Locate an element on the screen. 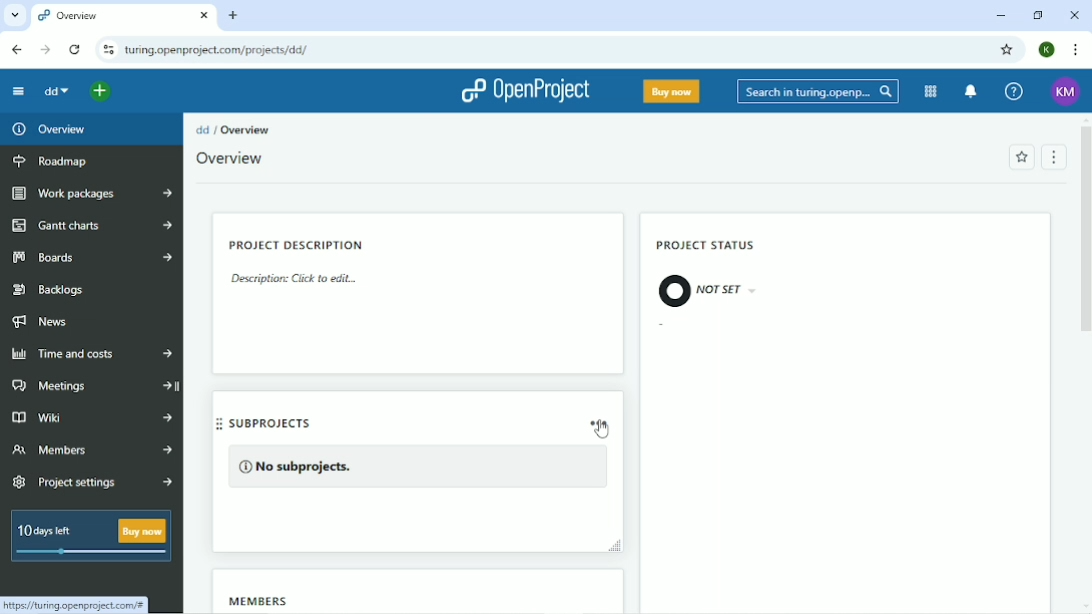  Current tab is located at coordinates (124, 17).